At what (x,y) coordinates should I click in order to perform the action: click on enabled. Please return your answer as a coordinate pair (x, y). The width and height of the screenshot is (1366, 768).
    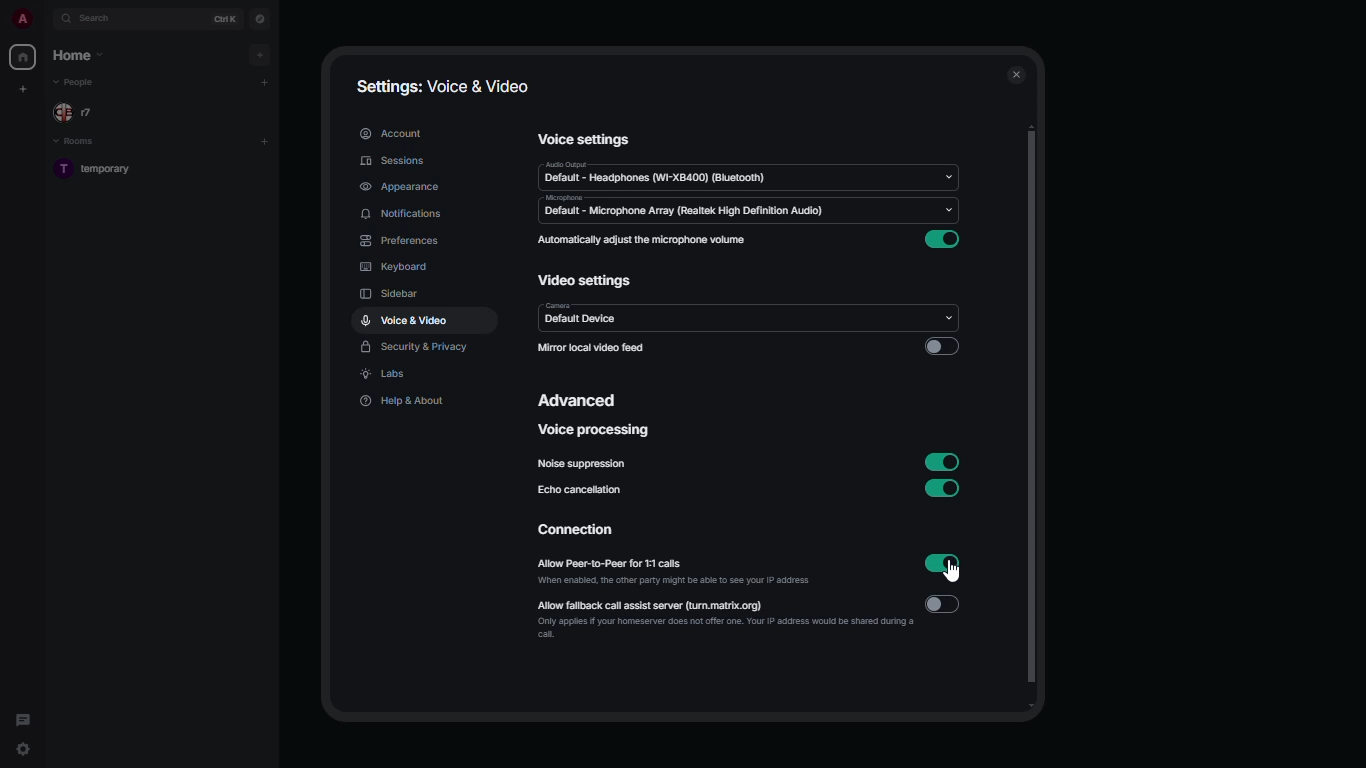
    Looking at the image, I should click on (945, 462).